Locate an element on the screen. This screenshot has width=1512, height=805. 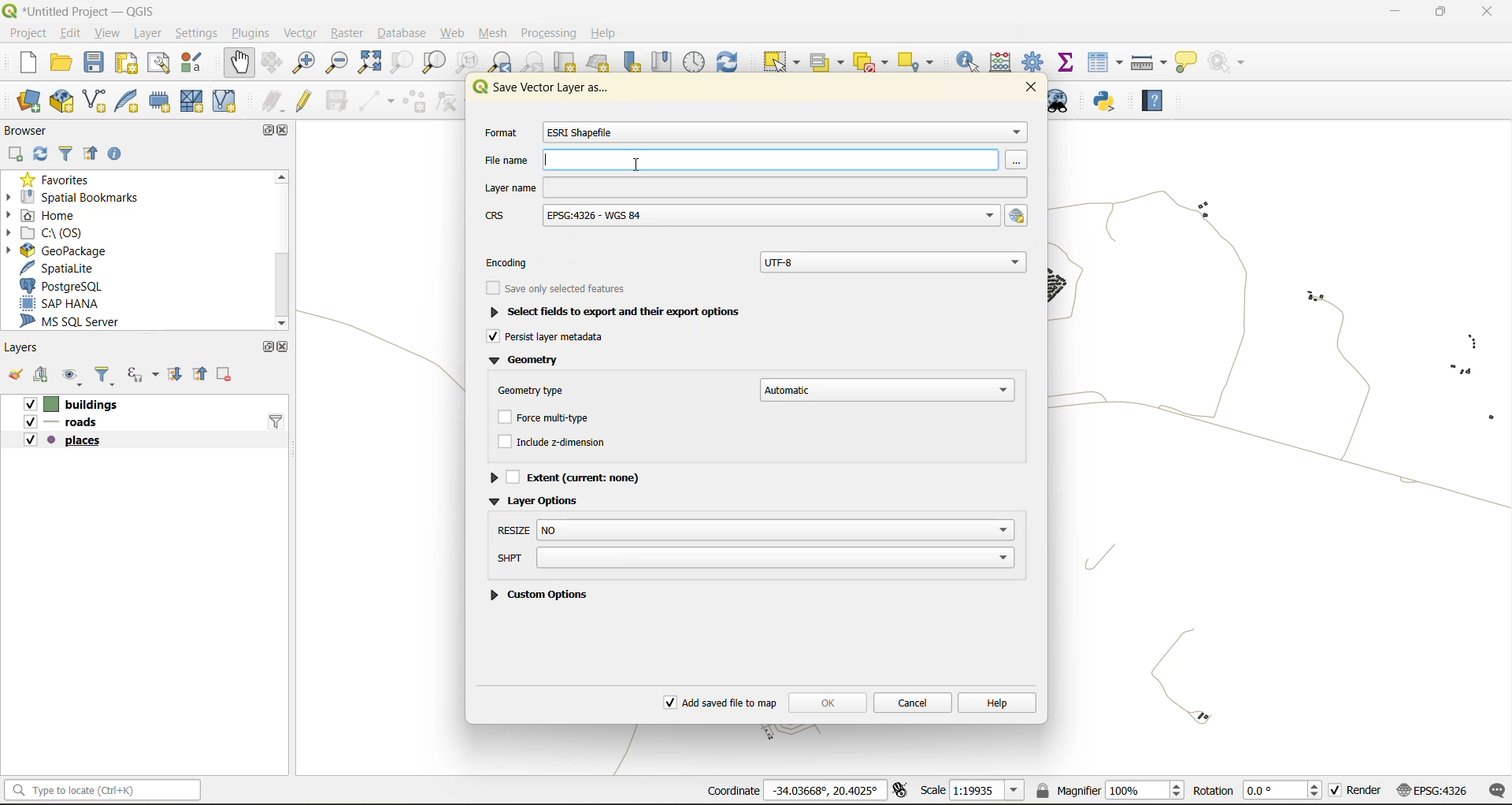
close is located at coordinates (283, 349).